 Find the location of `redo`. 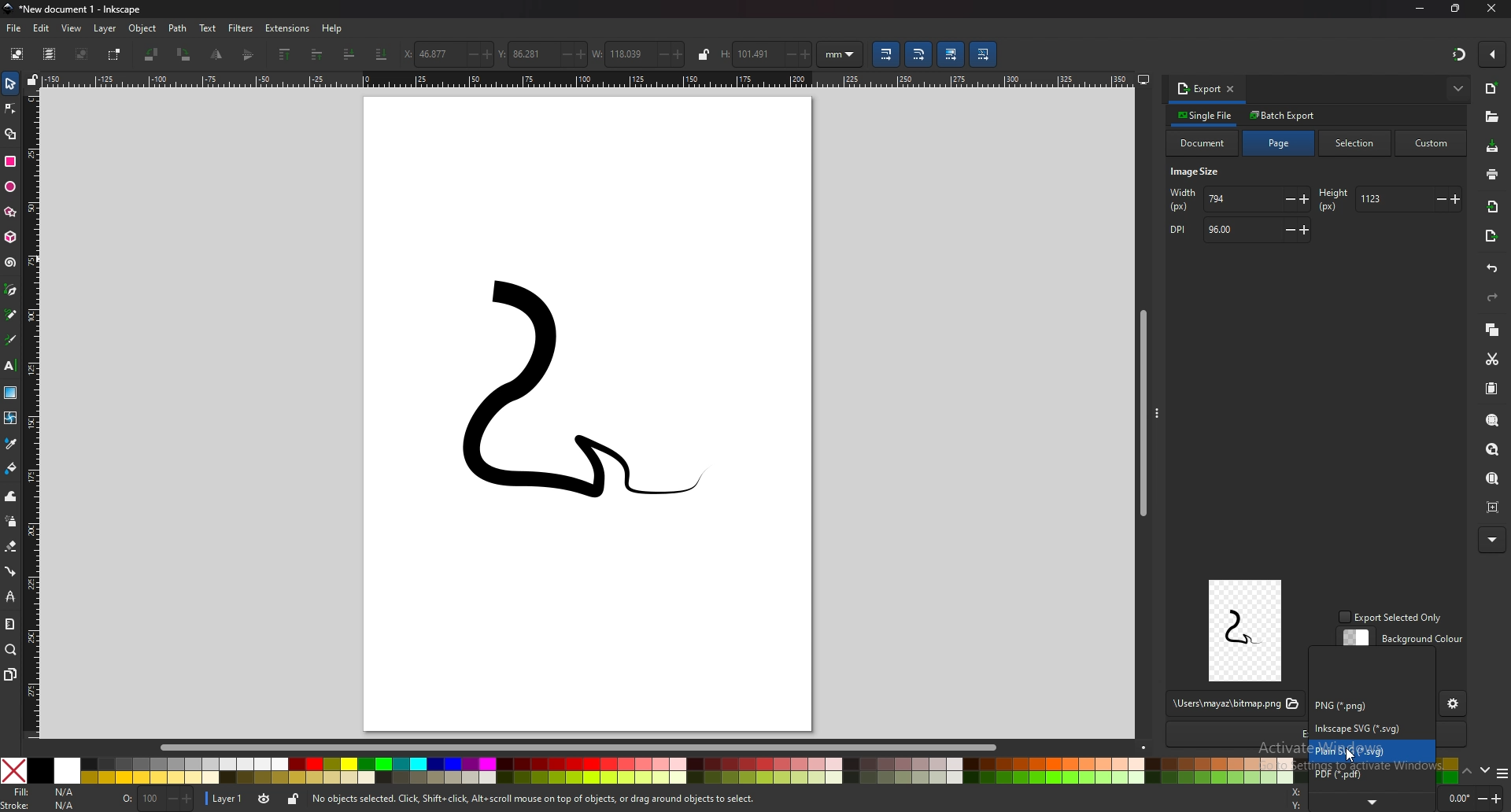

redo is located at coordinates (1494, 297).